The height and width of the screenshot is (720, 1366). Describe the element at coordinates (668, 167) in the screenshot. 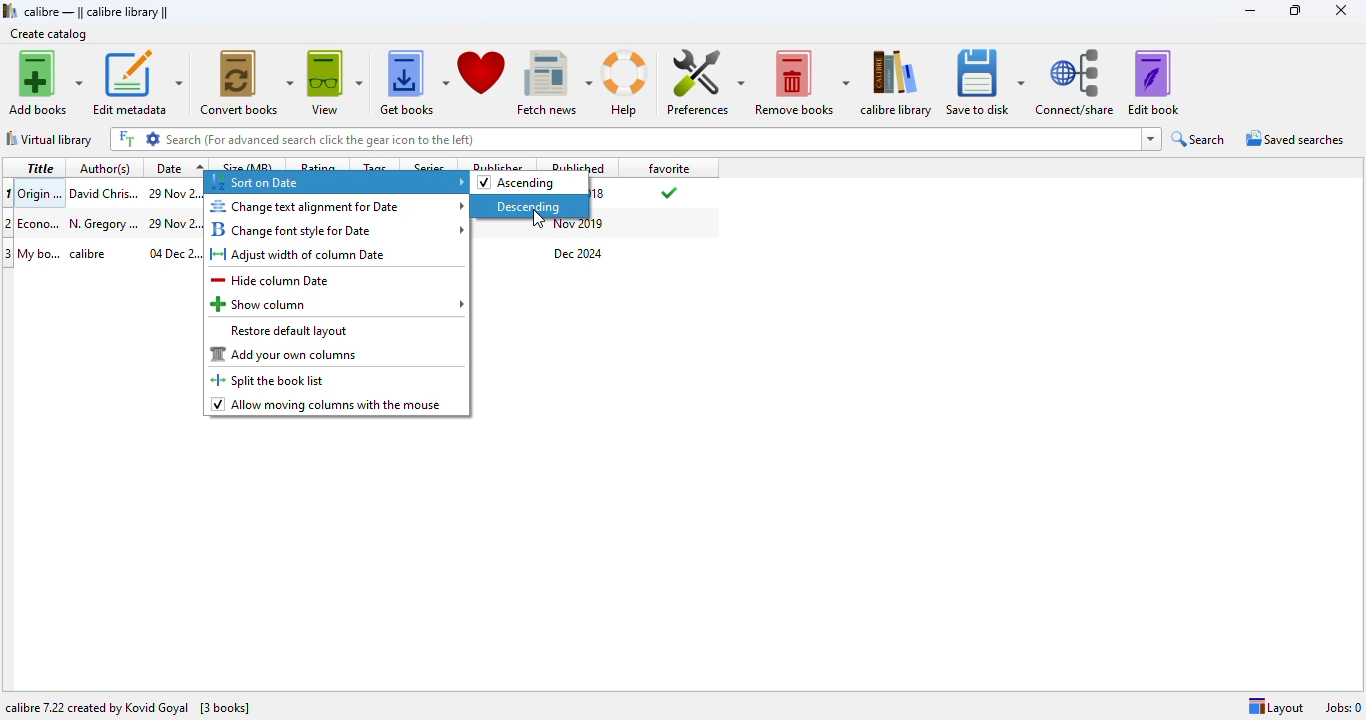

I see `favorite` at that location.